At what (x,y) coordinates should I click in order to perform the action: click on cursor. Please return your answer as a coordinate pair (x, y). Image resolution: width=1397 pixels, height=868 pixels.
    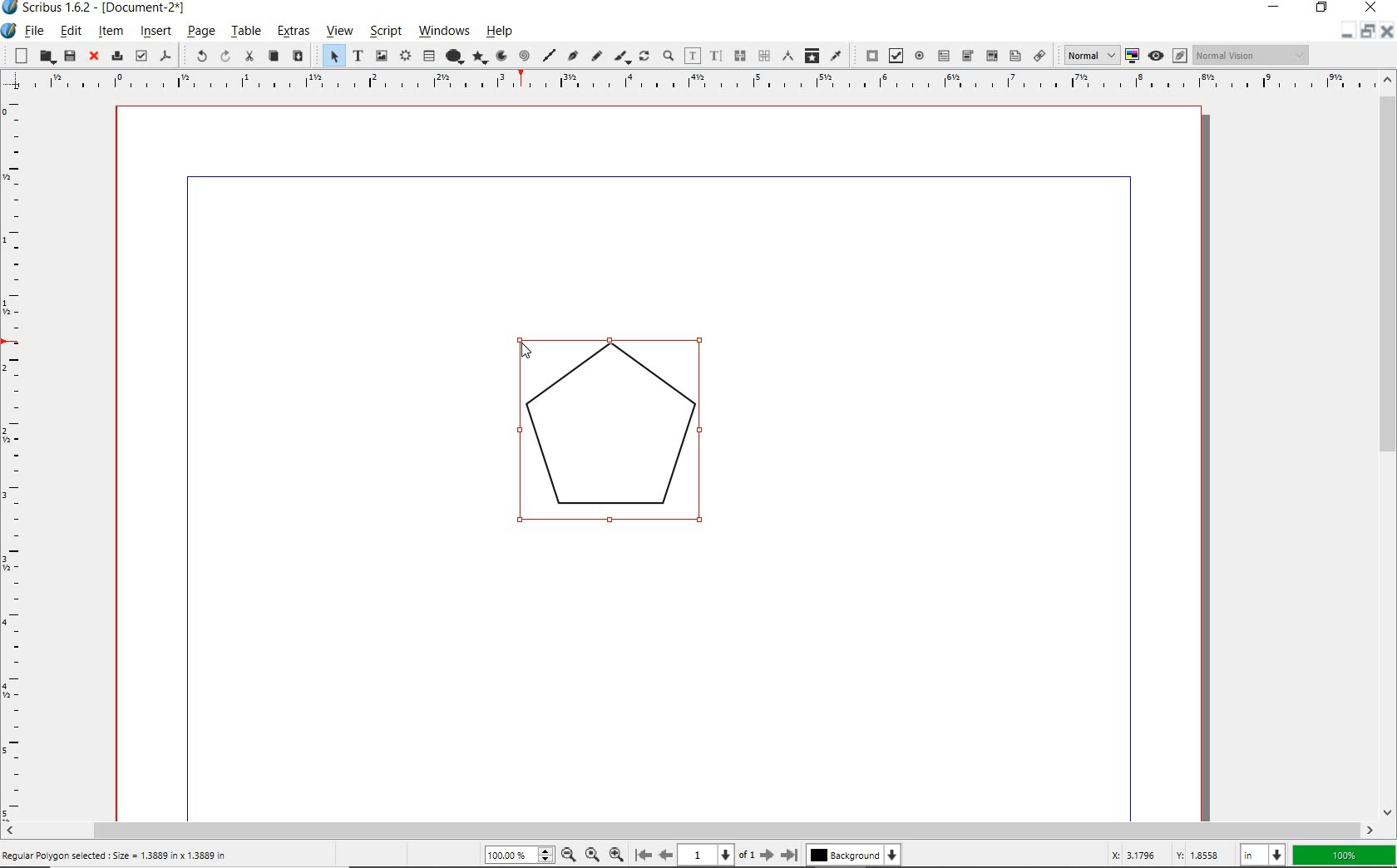
    Looking at the image, I should click on (525, 348).